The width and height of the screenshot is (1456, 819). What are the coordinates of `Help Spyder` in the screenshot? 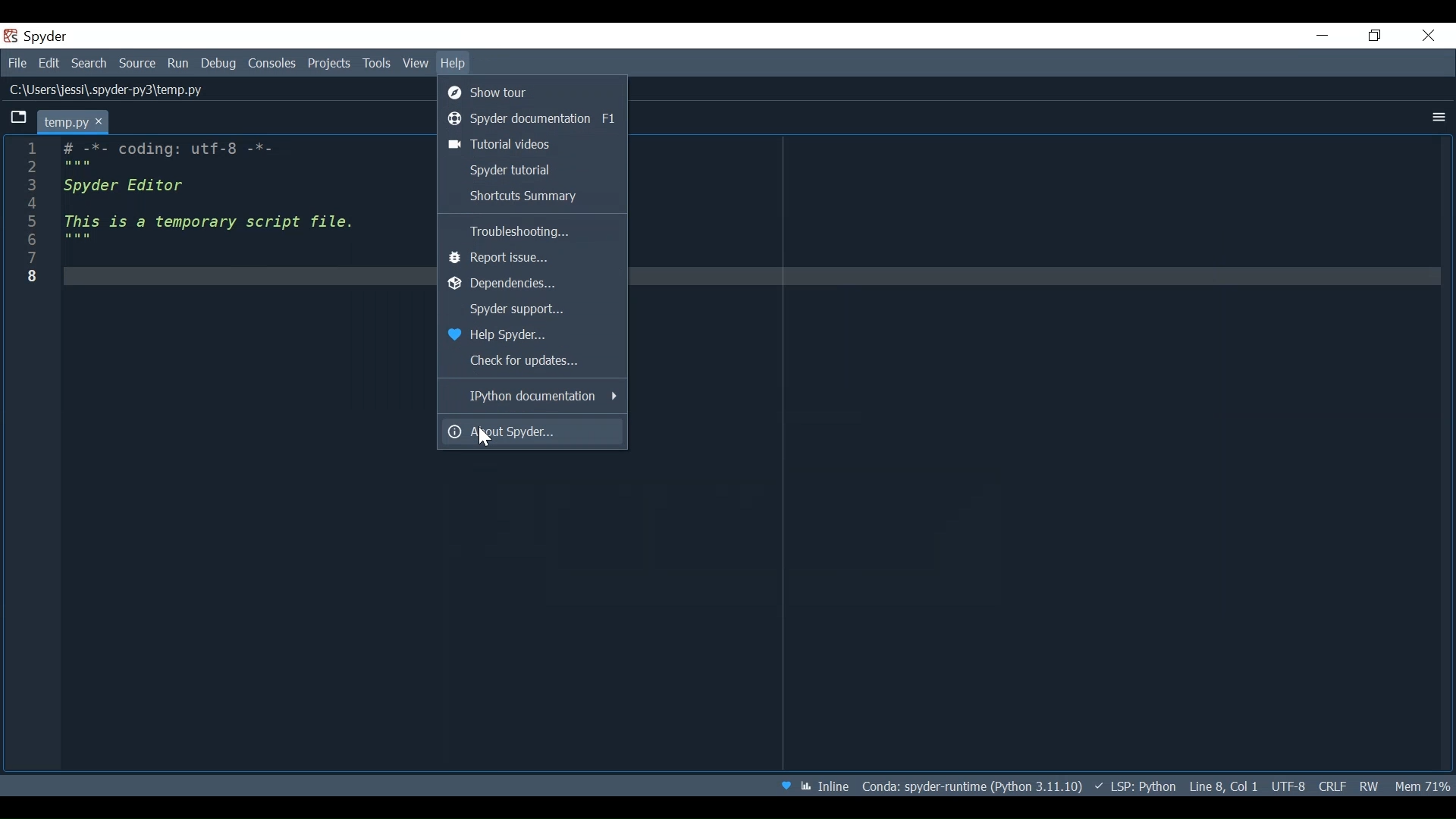 It's located at (533, 337).